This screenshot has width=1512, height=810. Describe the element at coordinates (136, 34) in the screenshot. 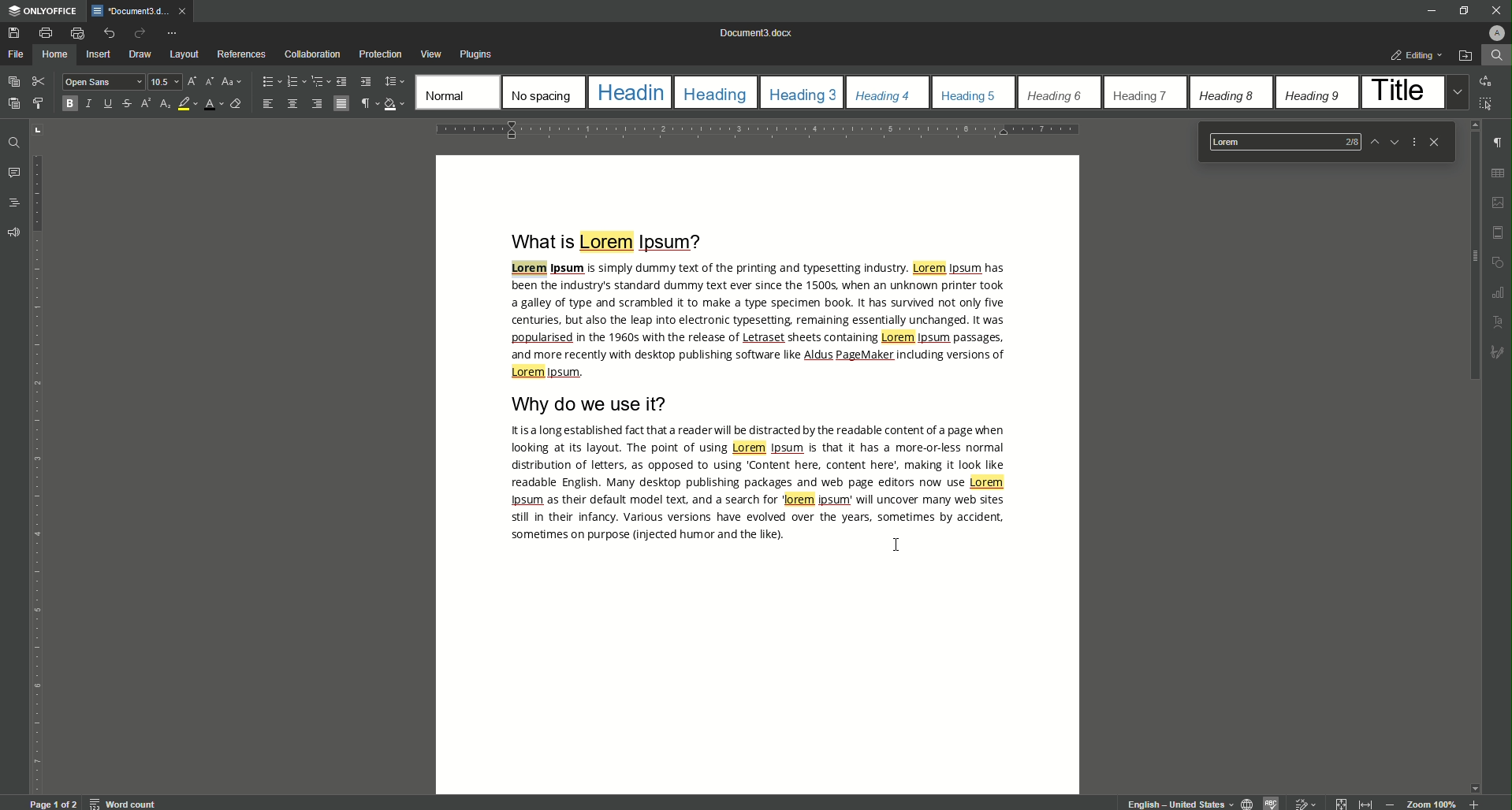

I see `Redo` at that location.